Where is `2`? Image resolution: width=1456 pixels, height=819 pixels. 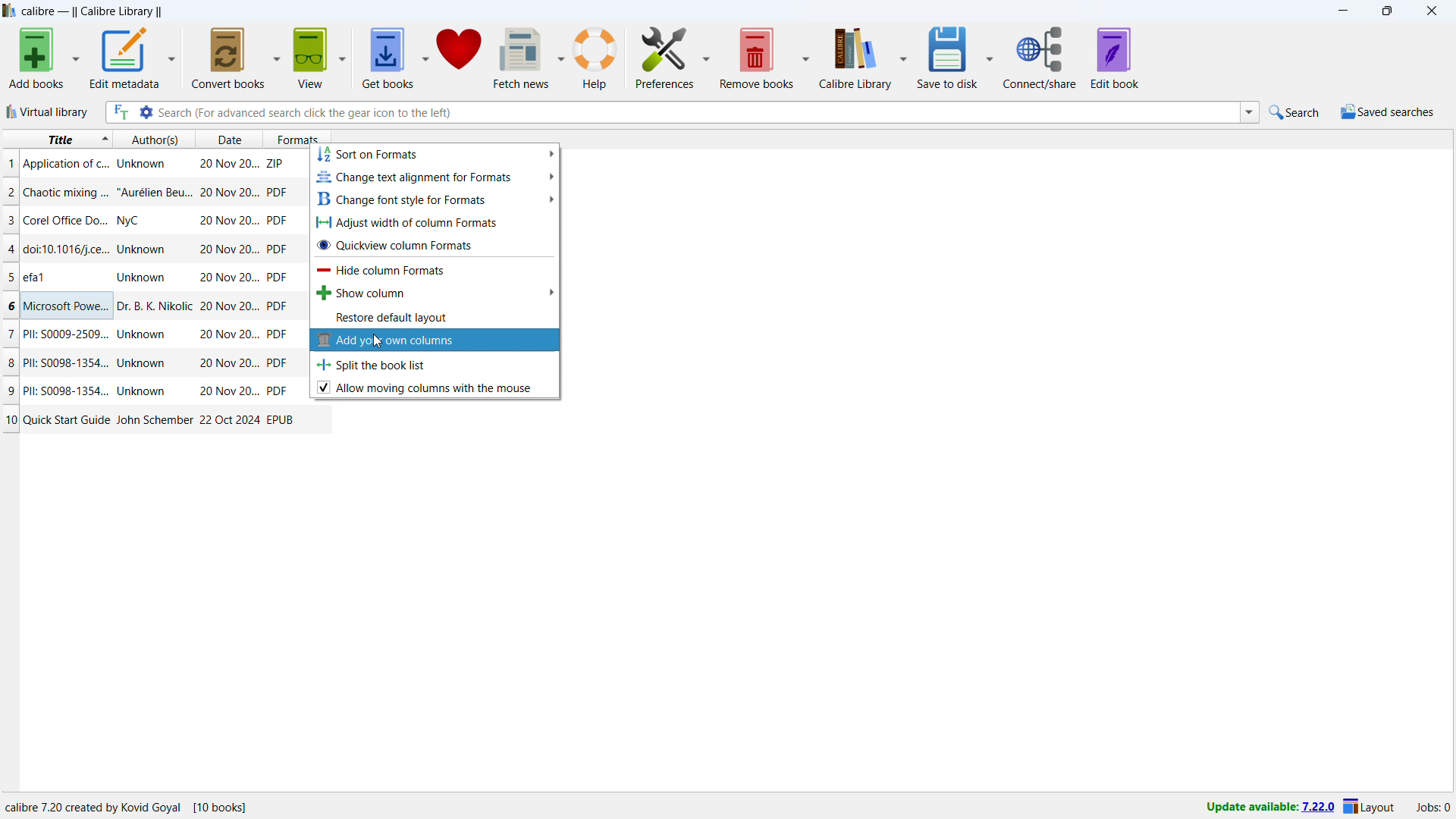
2 is located at coordinates (9, 191).